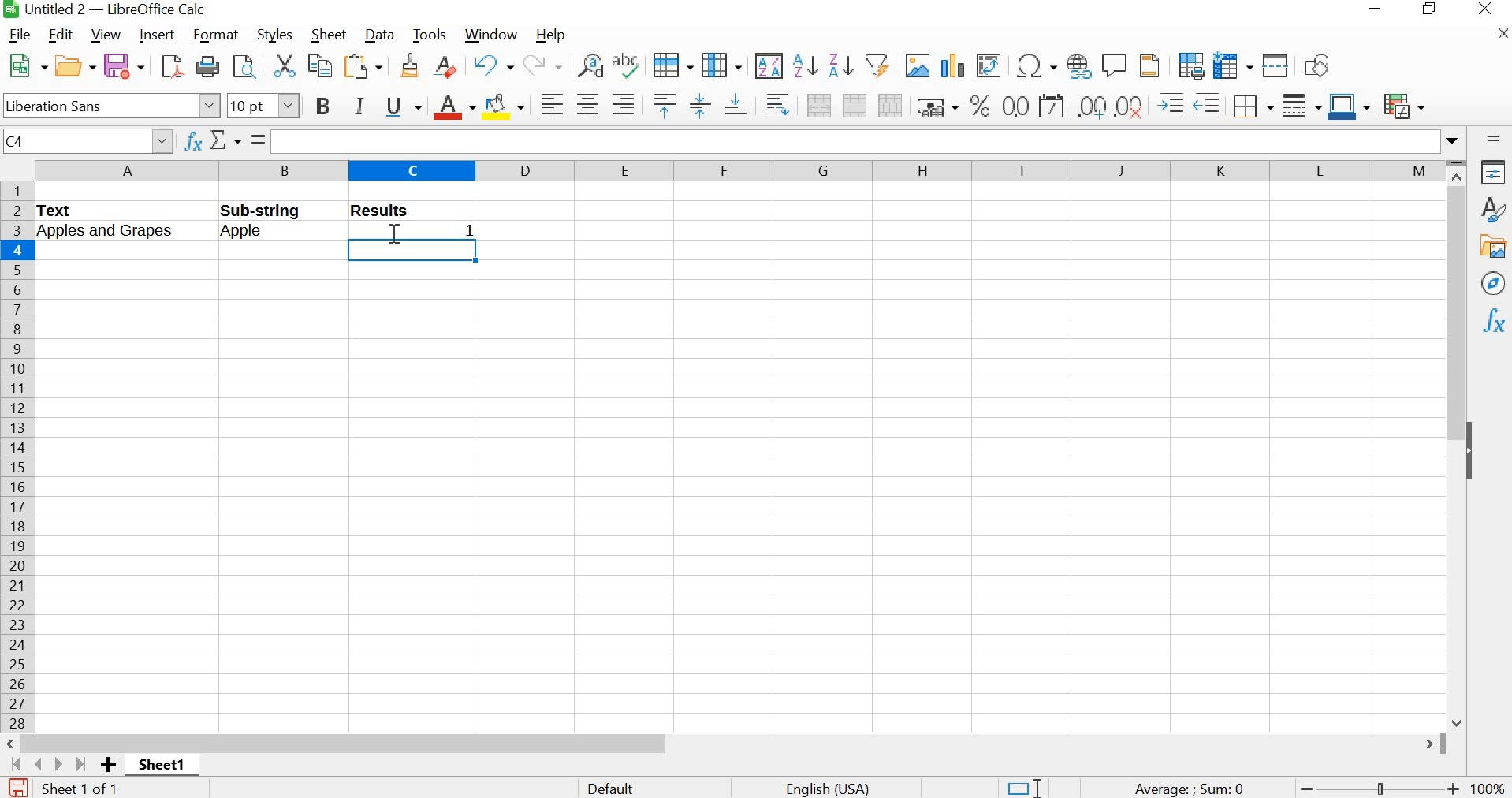 This screenshot has height=798, width=1512. Describe the element at coordinates (1405, 106) in the screenshot. I see `conditional` at that location.